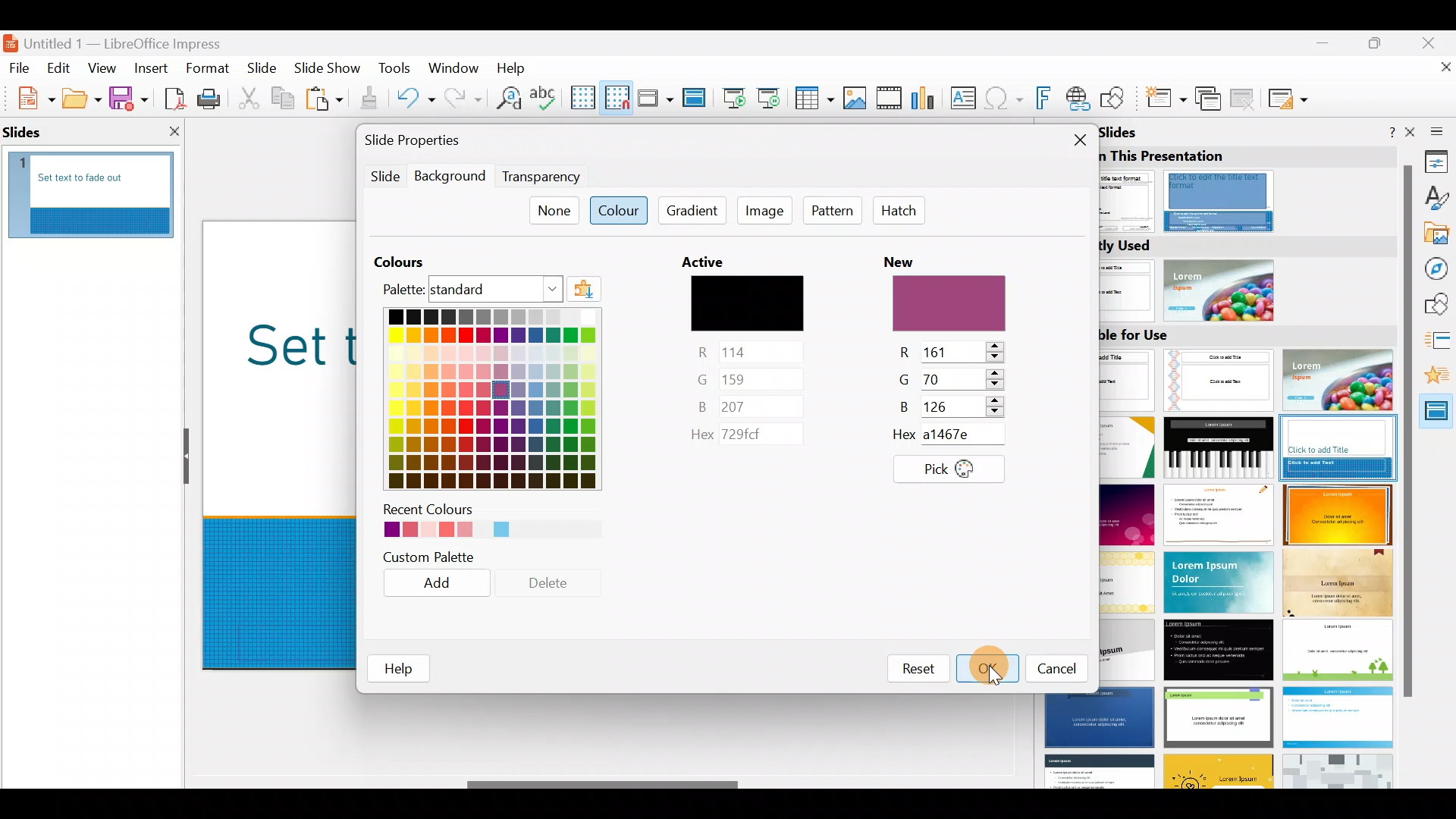 The height and width of the screenshot is (819, 1456). I want to click on , so click(174, 457).